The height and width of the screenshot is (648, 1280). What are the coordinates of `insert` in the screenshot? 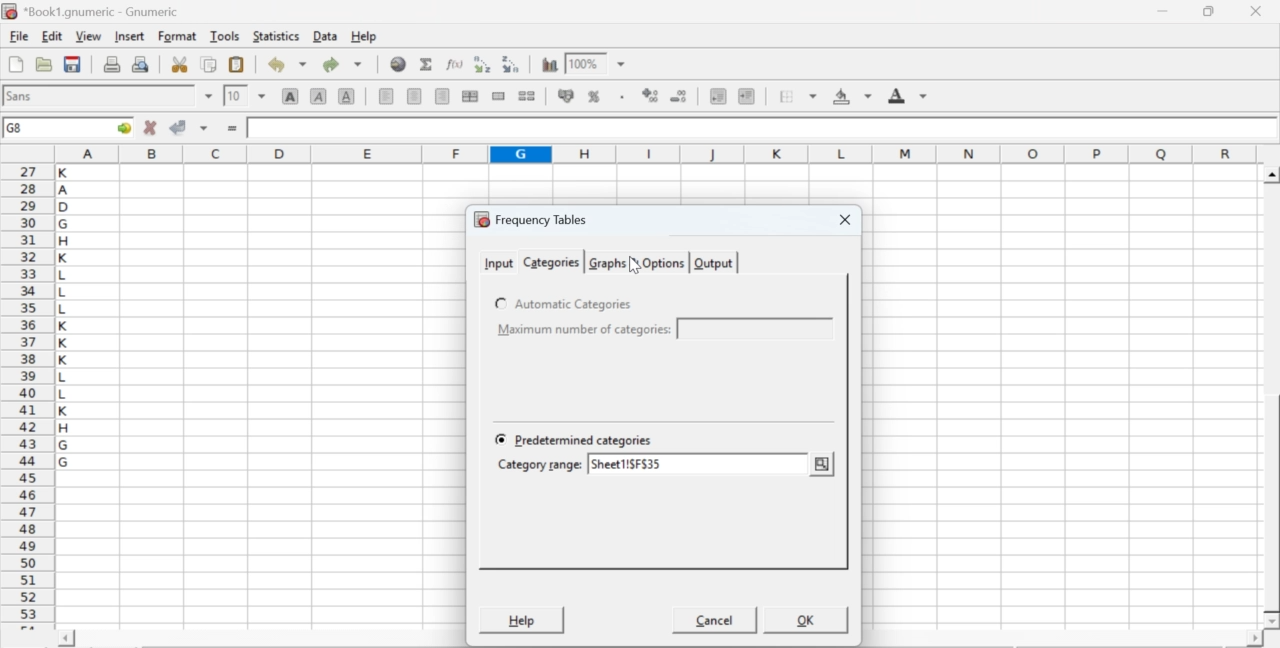 It's located at (128, 35).